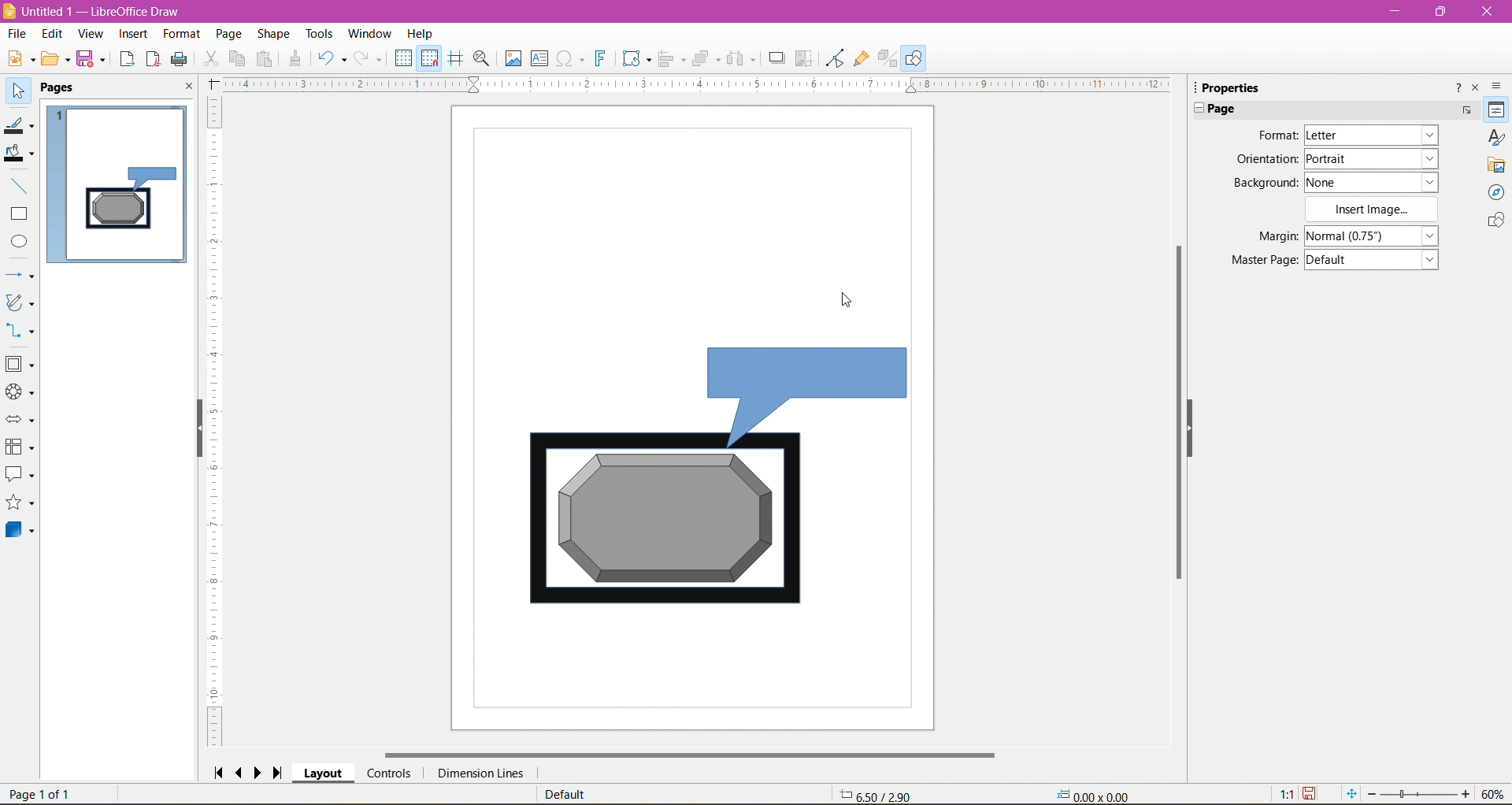  I want to click on View, so click(90, 33).